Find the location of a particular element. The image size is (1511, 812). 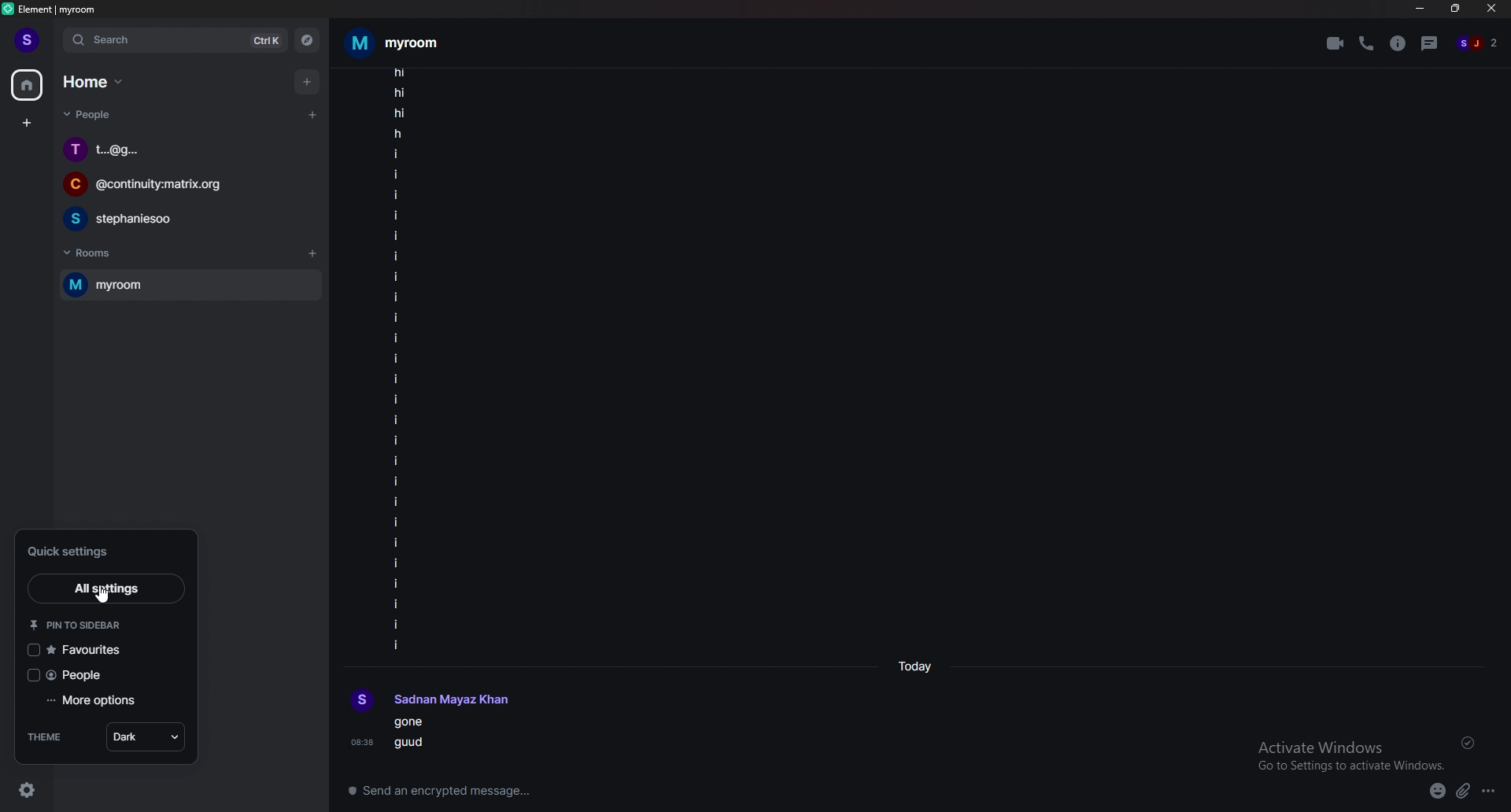

add is located at coordinates (305, 83).